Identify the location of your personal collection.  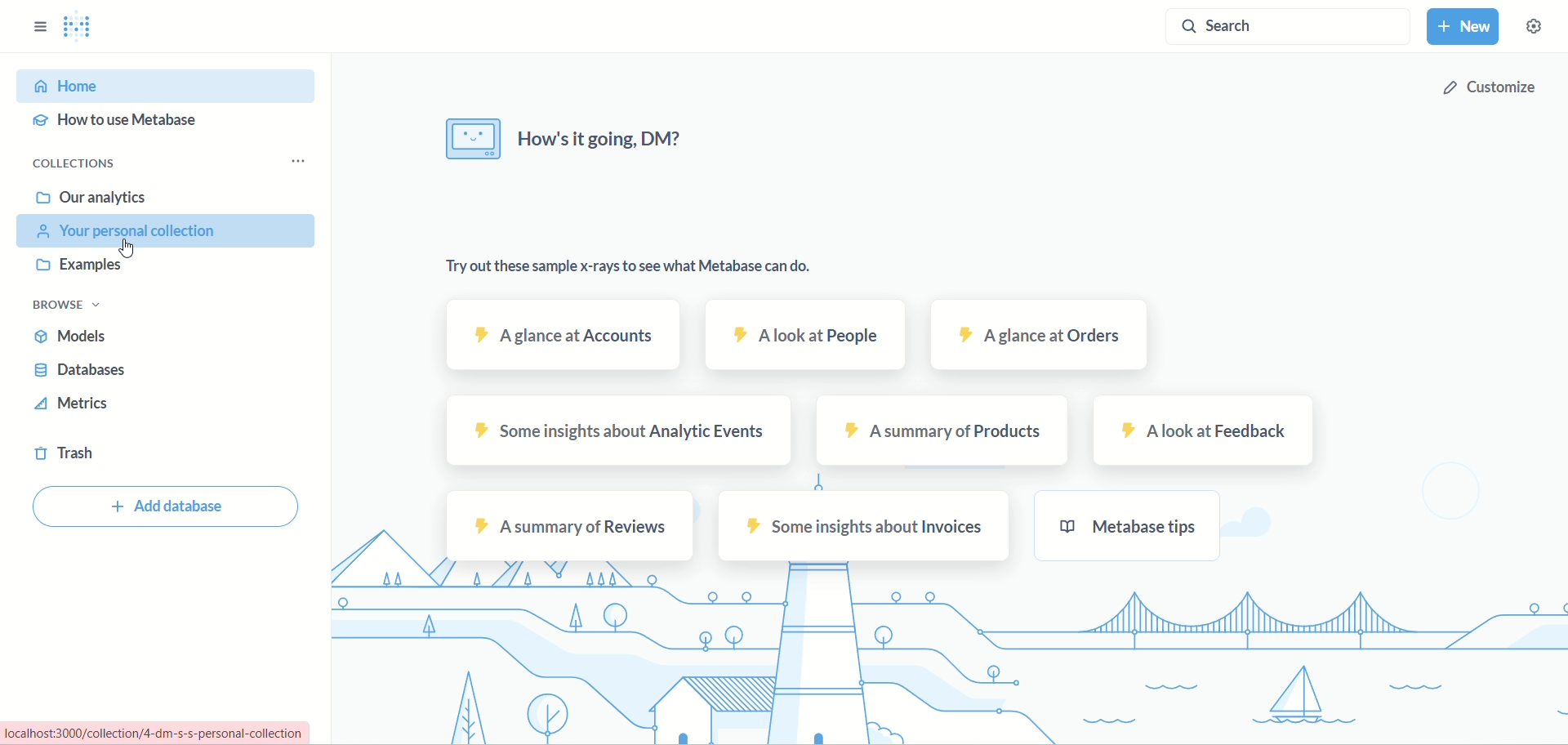
(170, 231).